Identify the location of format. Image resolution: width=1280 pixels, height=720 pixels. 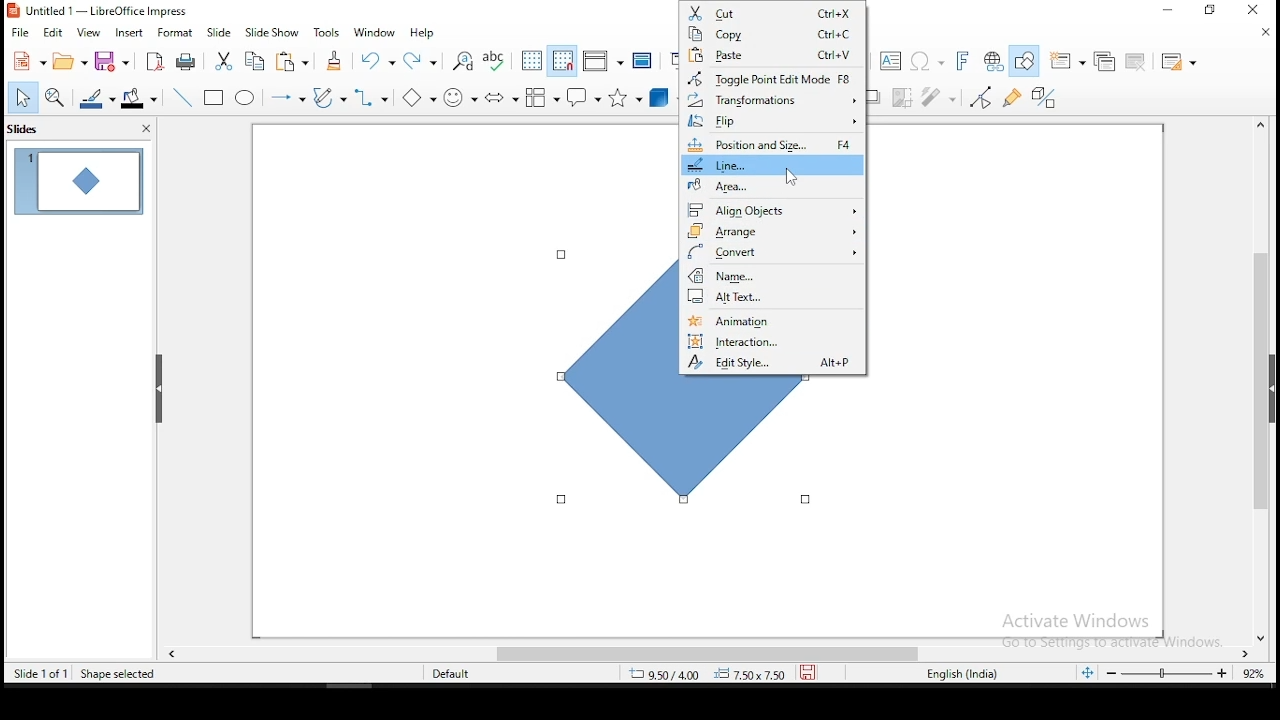
(179, 31).